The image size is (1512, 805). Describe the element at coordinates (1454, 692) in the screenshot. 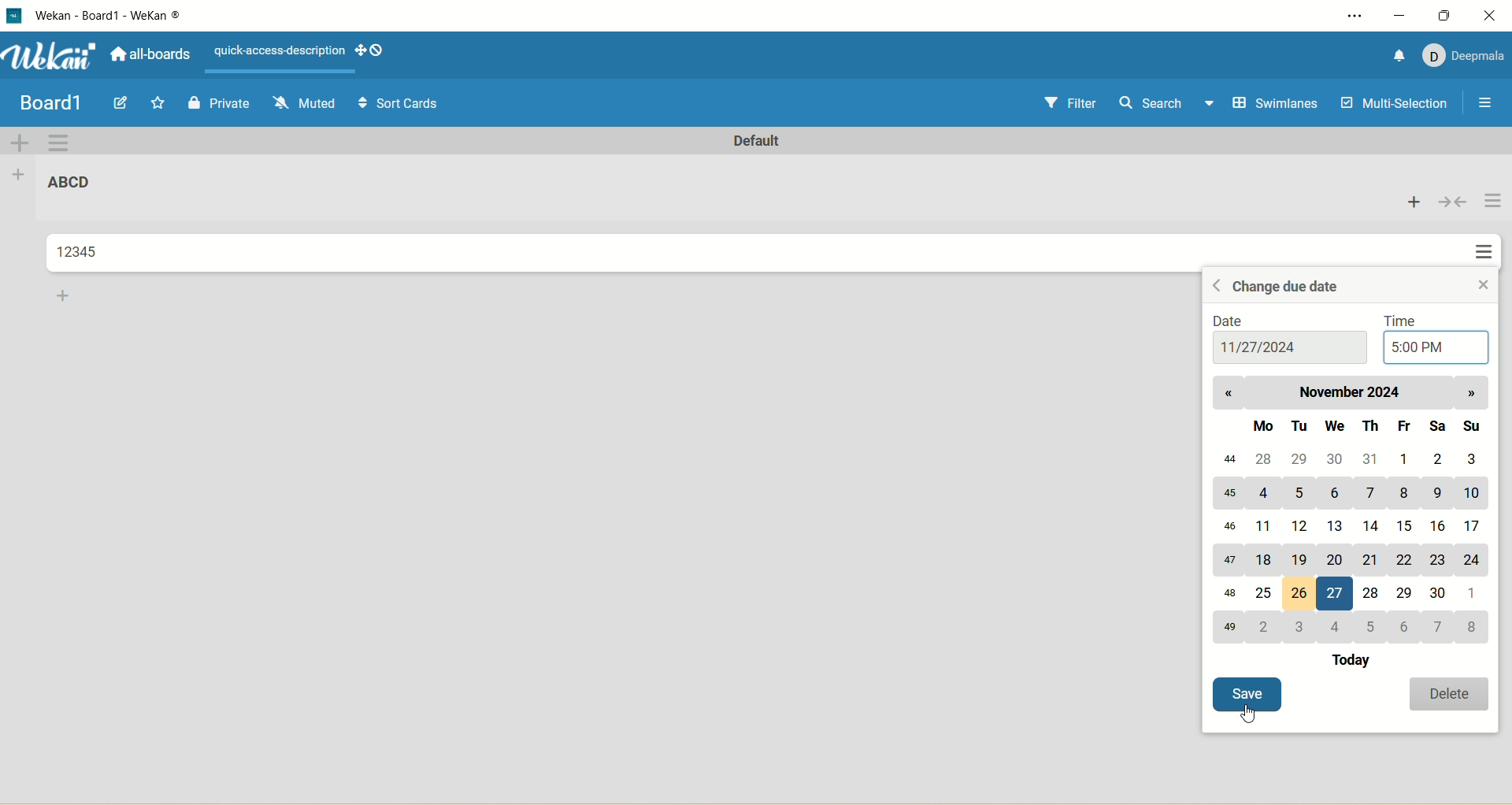

I see `delete` at that location.